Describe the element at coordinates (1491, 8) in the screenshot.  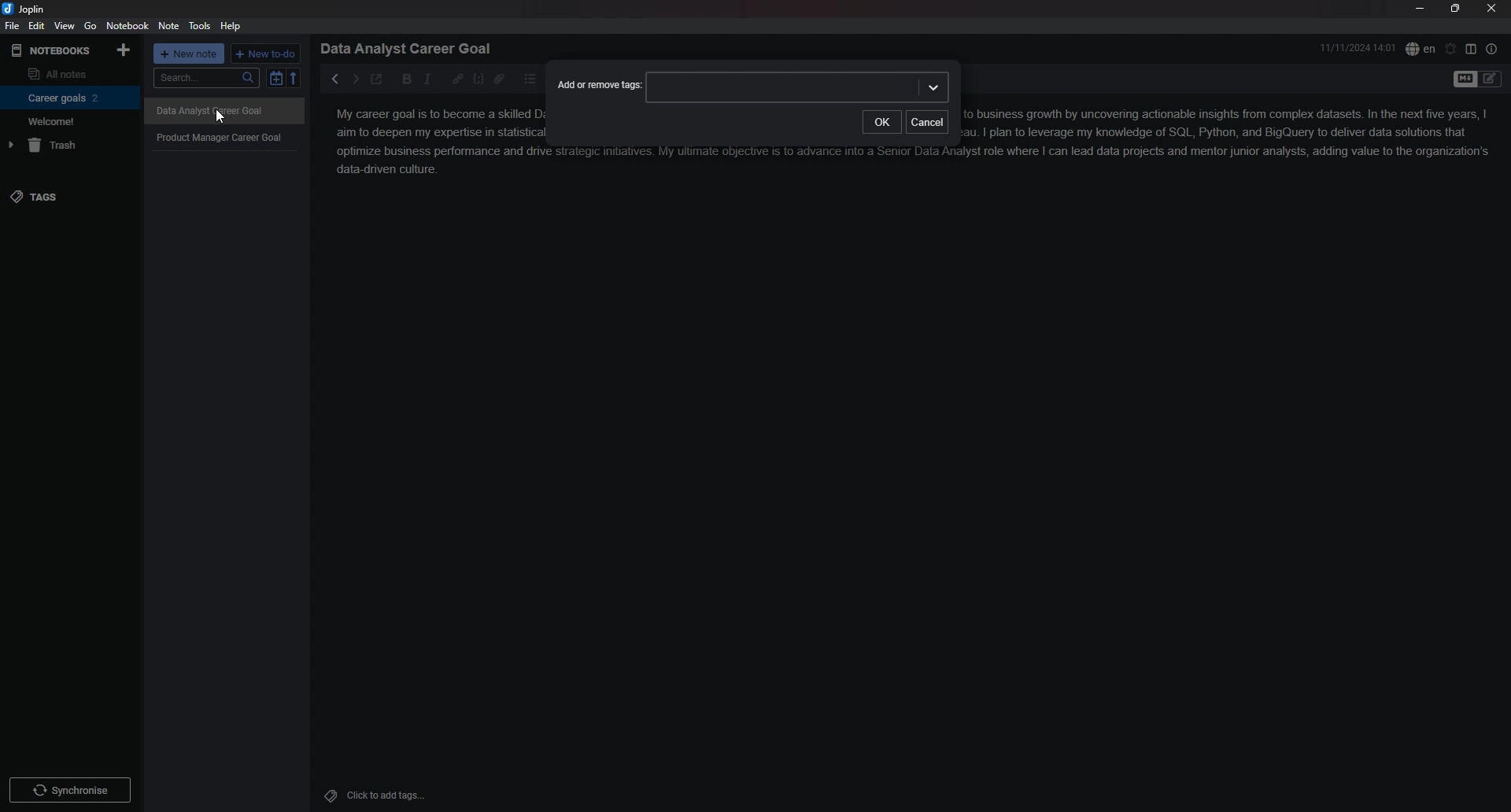
I see `close` at that location.